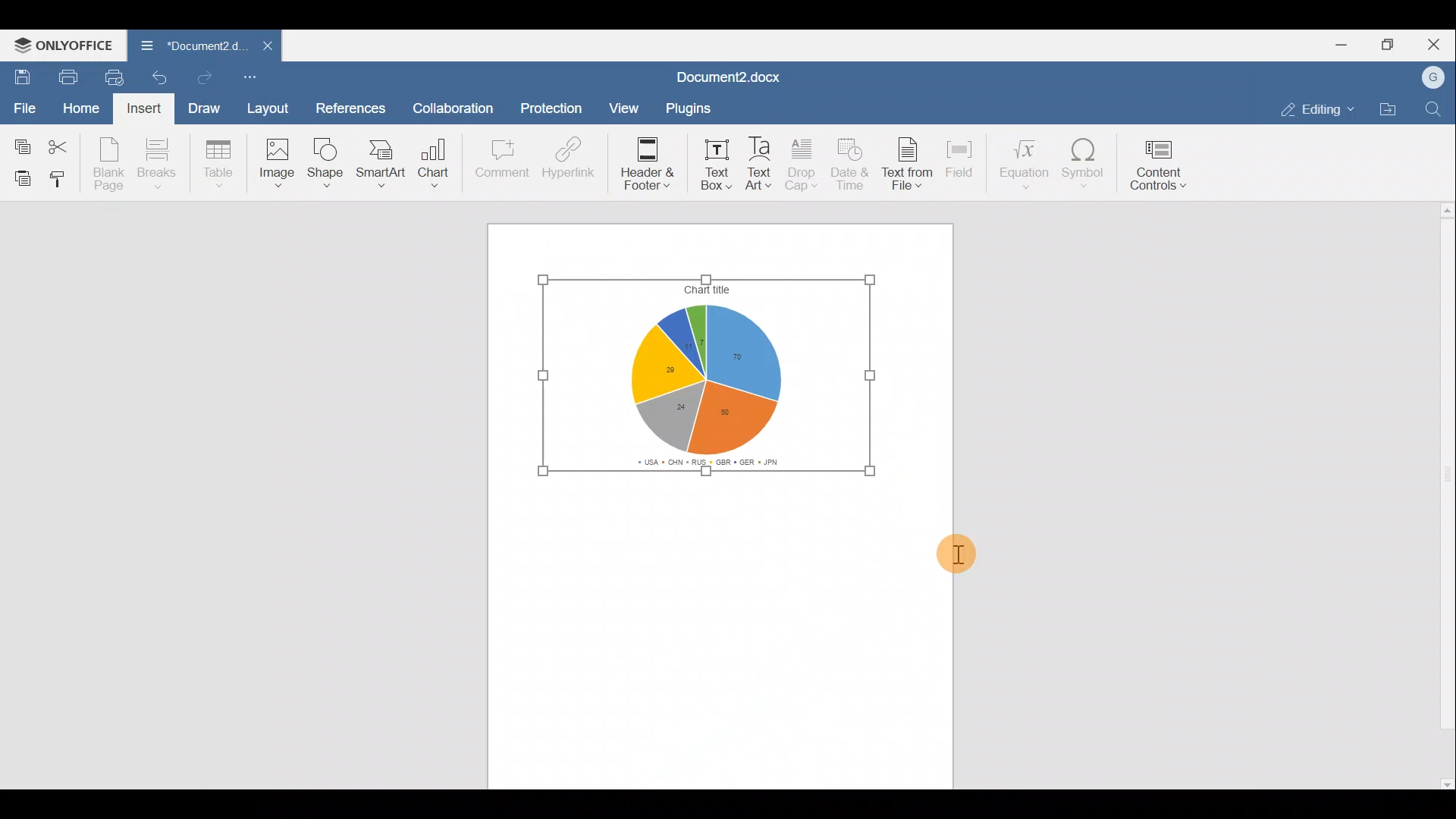  I want to click on Content controls, so click(1161, 165).